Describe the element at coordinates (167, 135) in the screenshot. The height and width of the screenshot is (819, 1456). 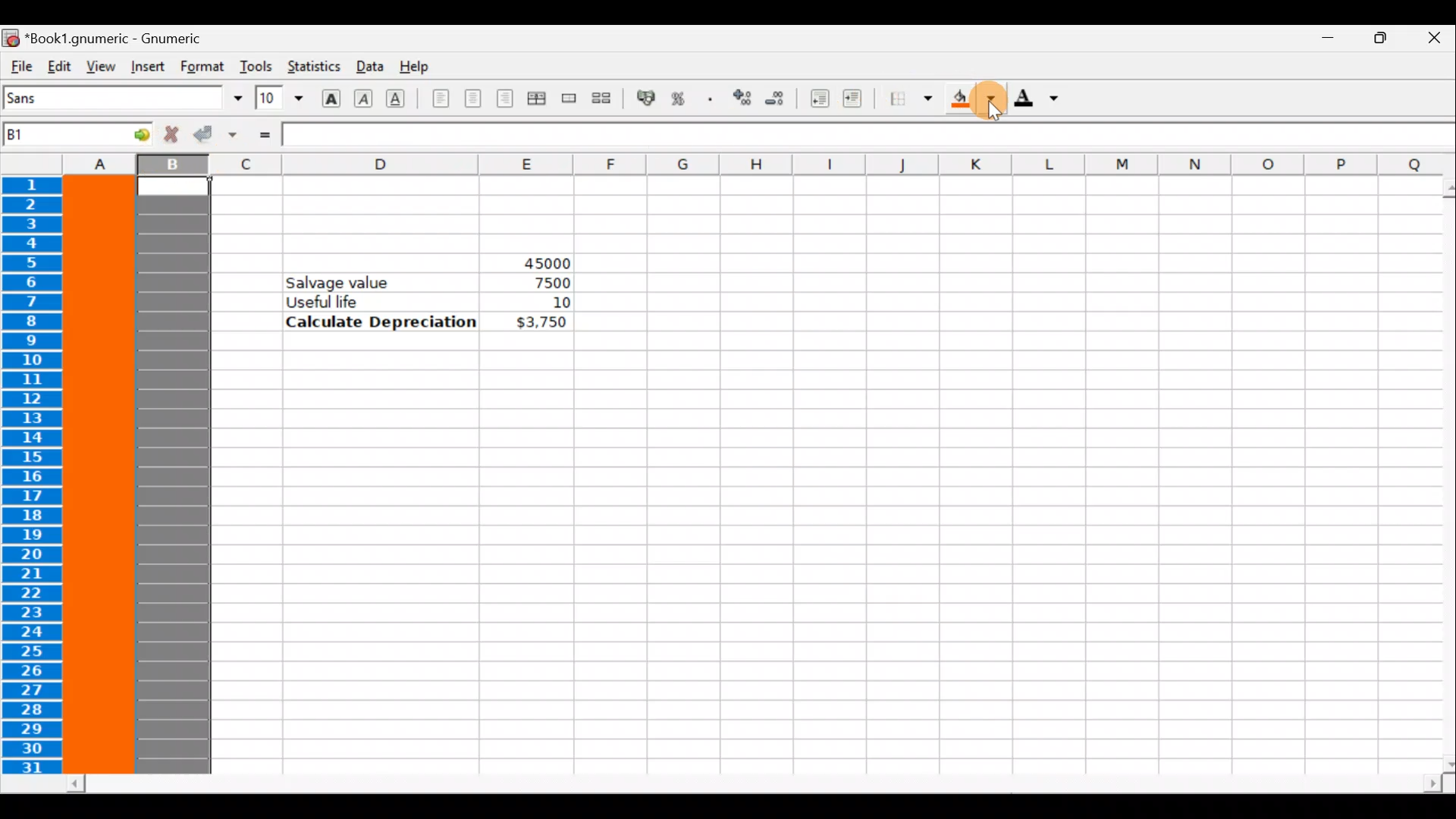
I see `Reject change` at that location.